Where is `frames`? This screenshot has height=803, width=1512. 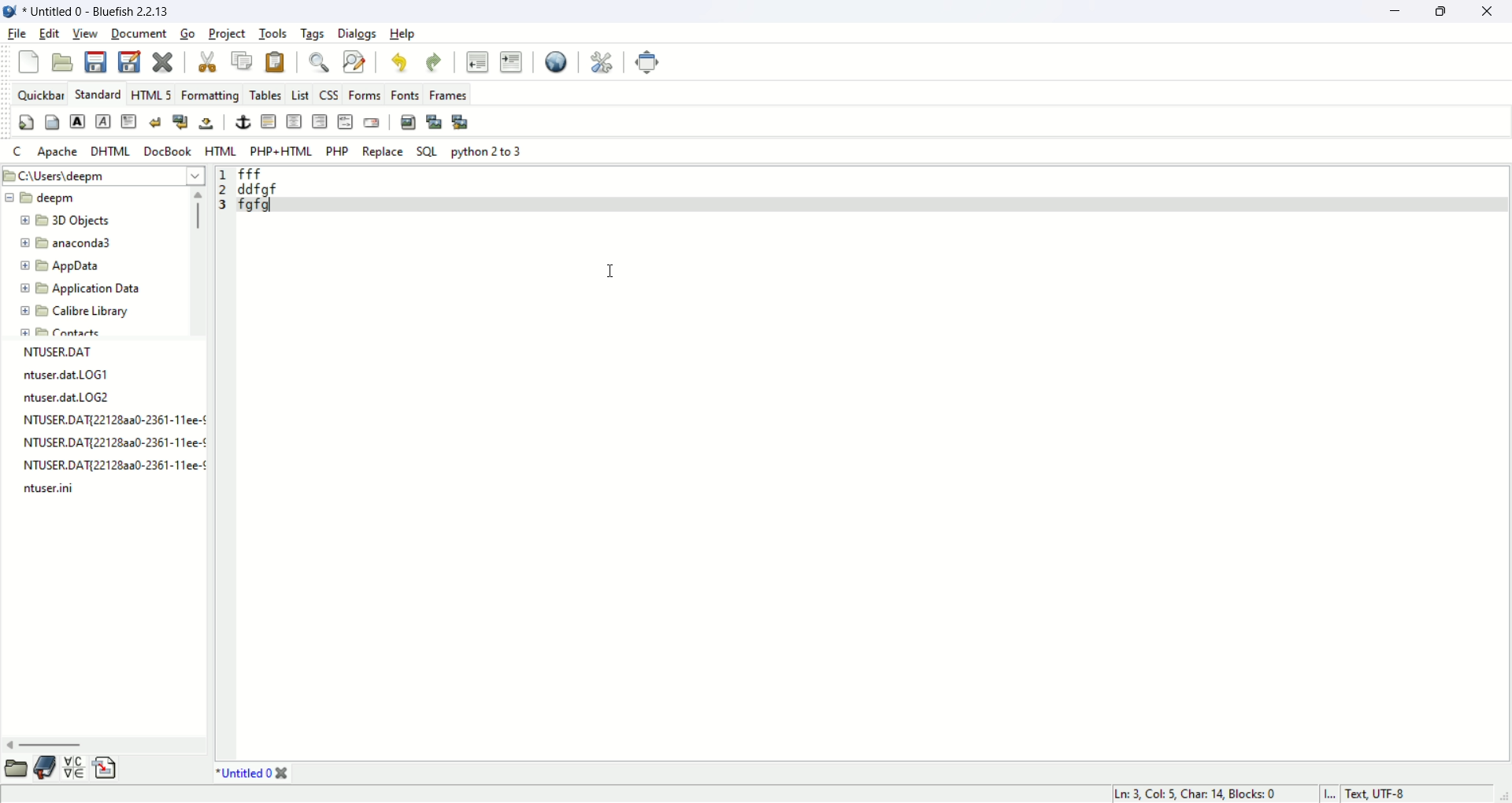 frames is located at coordinates (450, 94).